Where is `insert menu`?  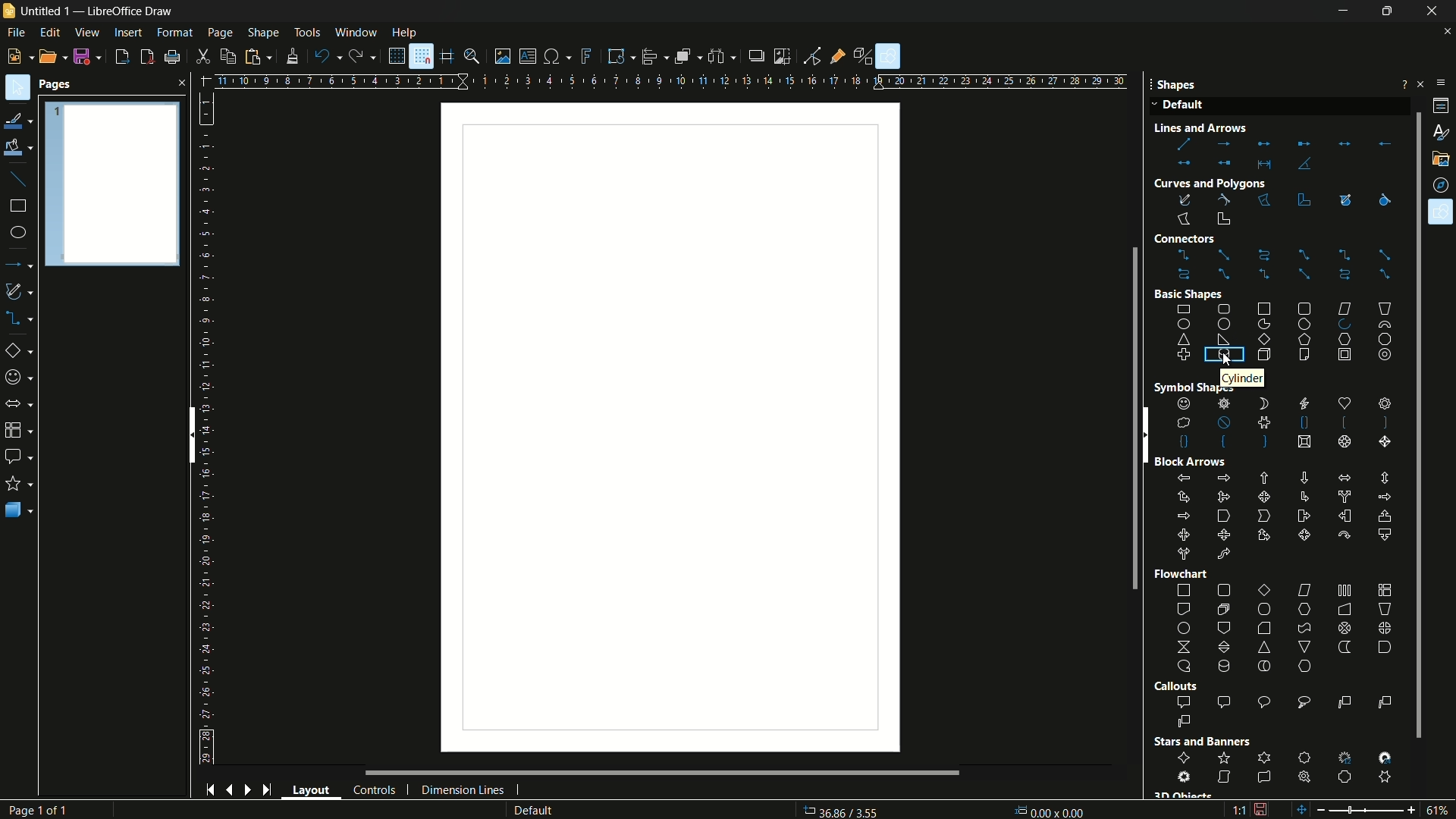 insert menu is located at coordinates (128, 32).